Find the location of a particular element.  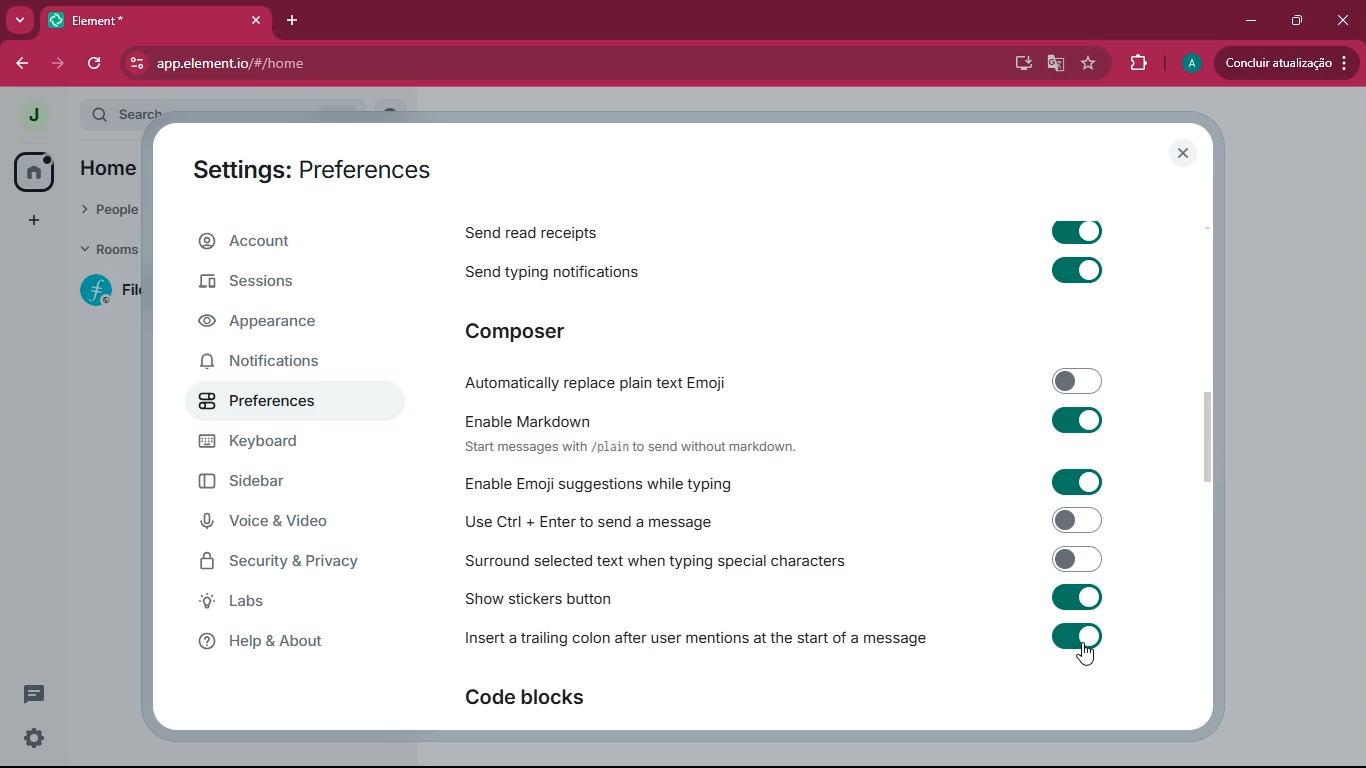

labs is located at coordinates (288, 603).